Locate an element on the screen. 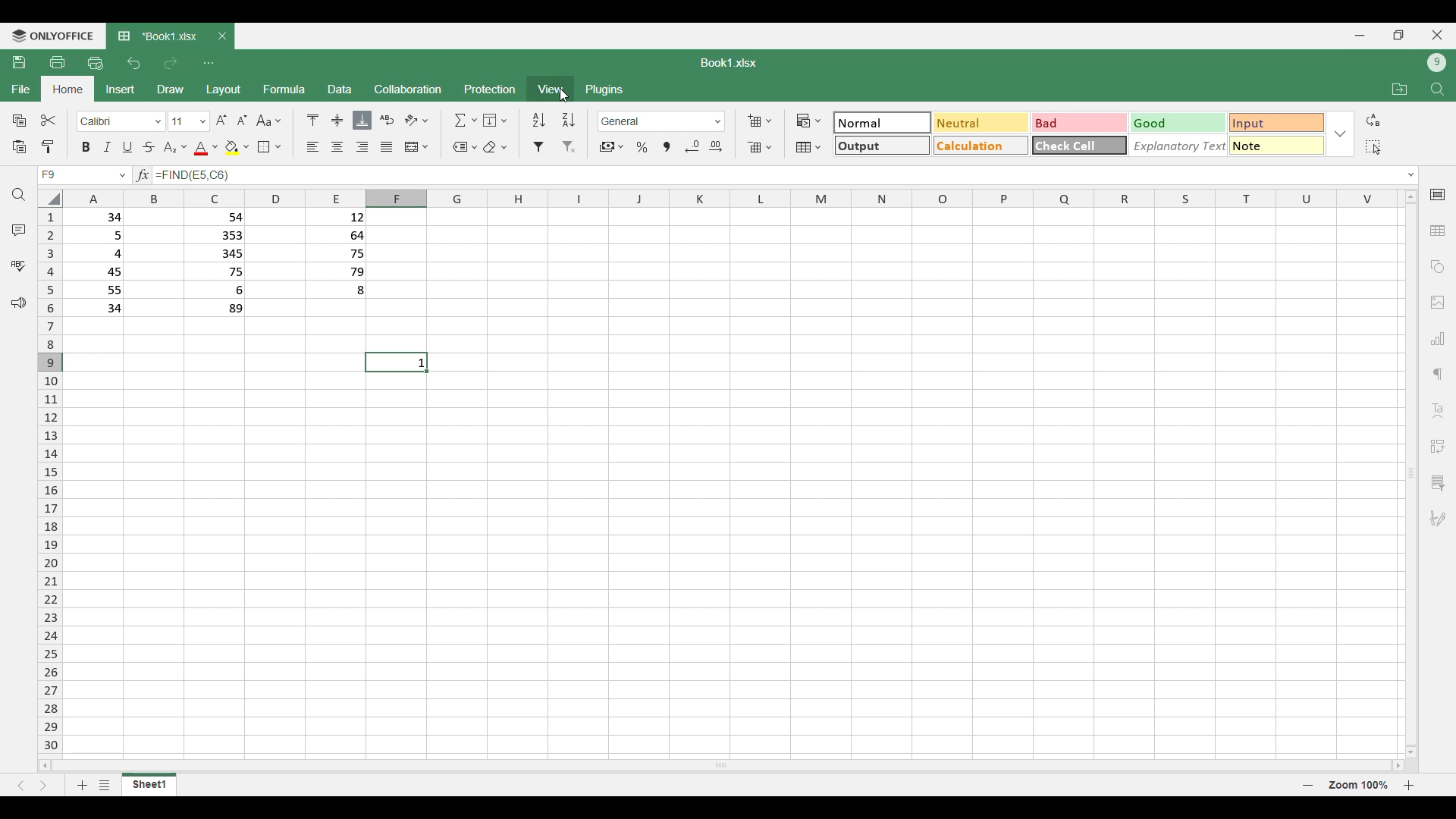 This screenshot has width=1456, height=819. Slicer is located at coordinates (1439, 484).